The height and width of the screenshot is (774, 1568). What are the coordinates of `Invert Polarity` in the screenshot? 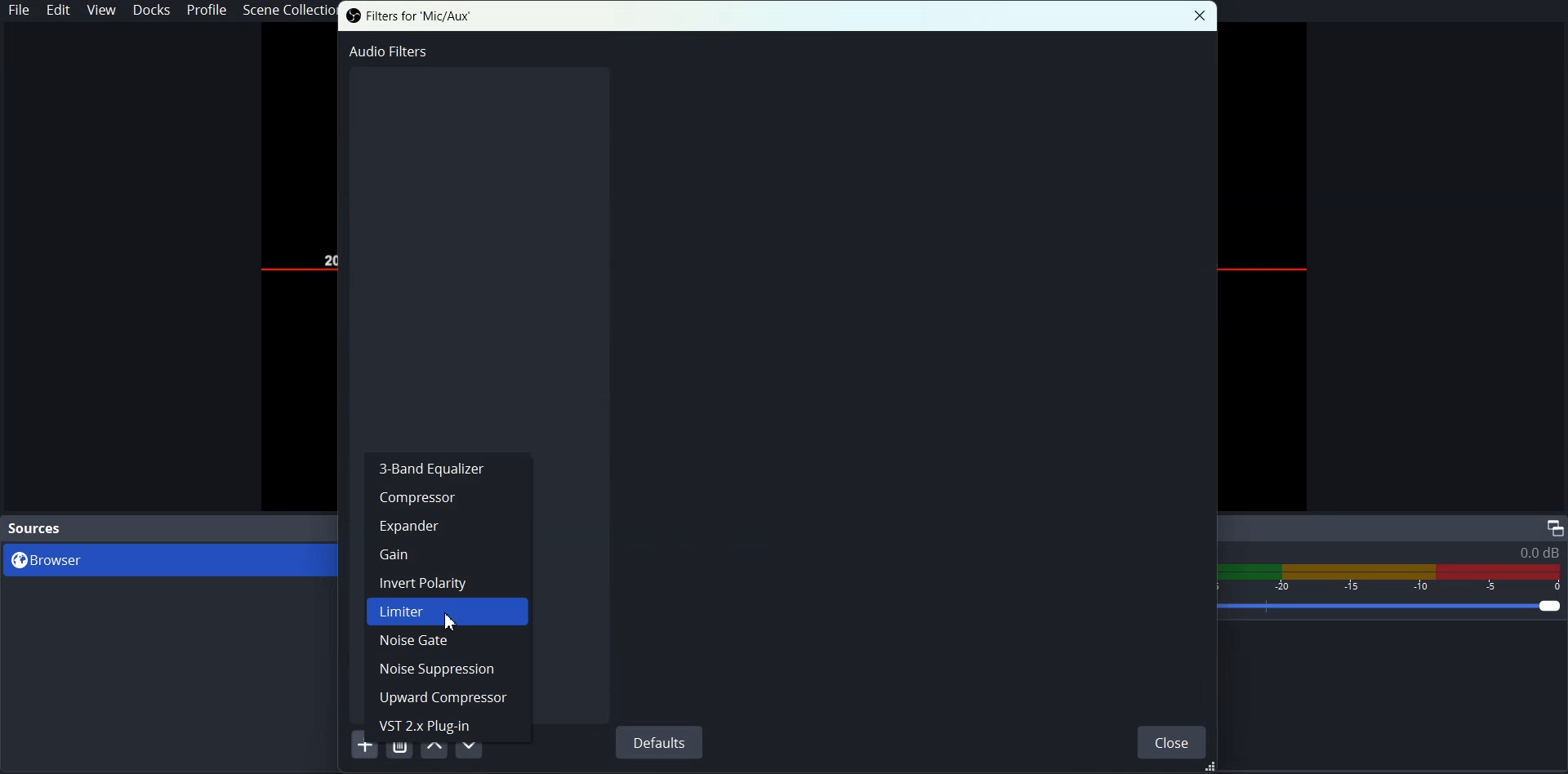 It's located at (448, 582).